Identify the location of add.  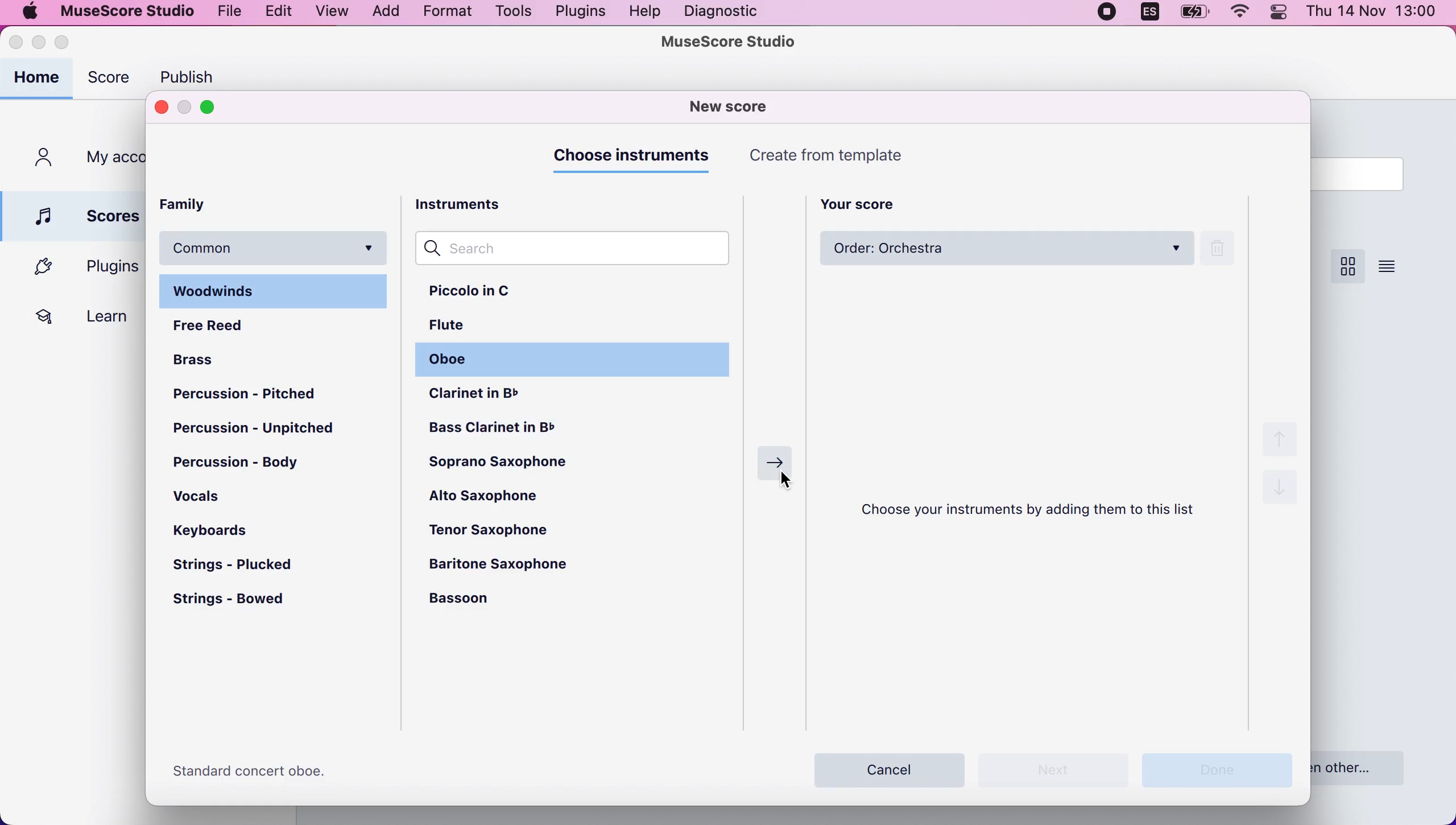
(384, 13).